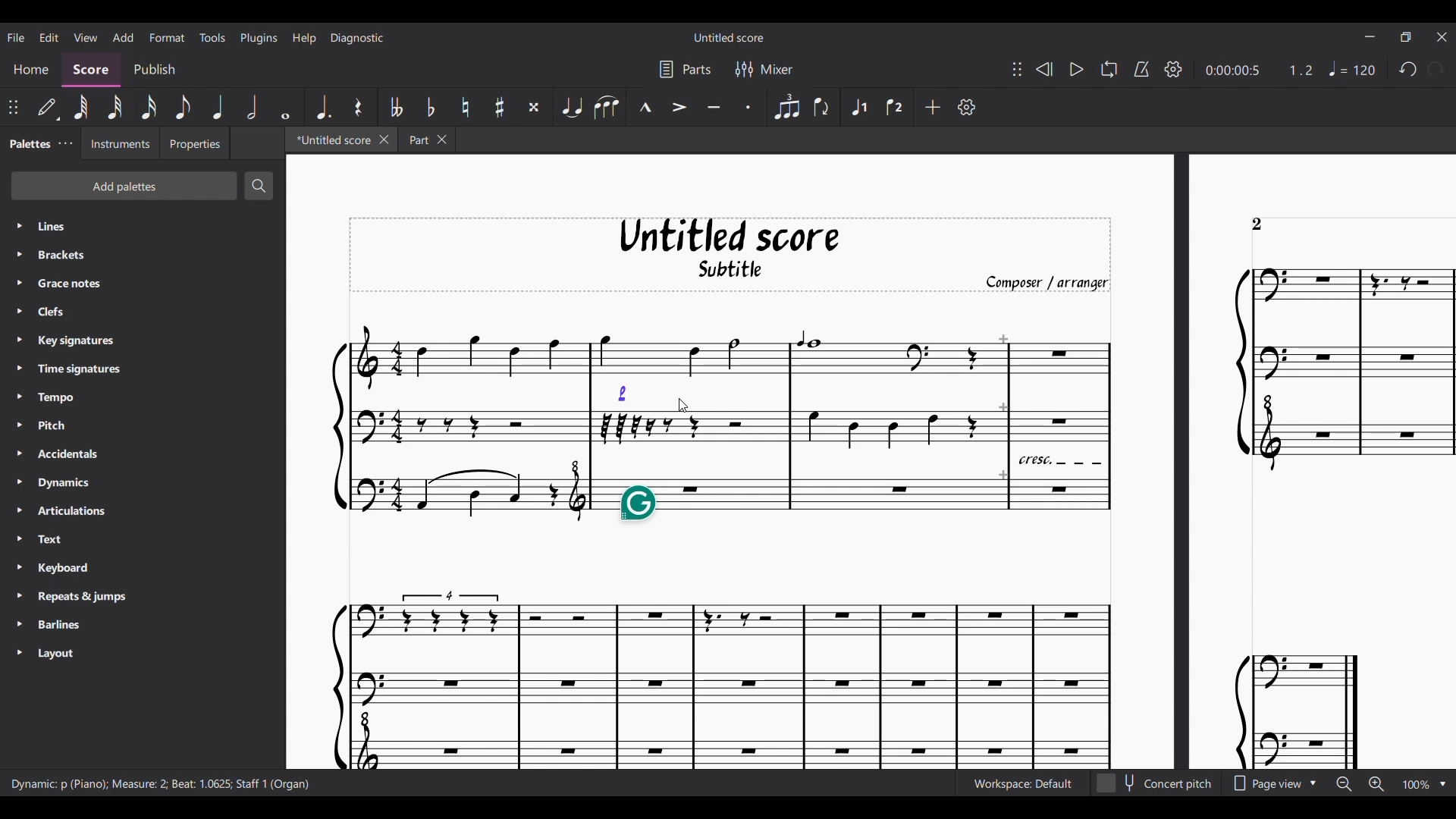  What do you see at coordinates (691, 356) in the screenshot?
I see `Highlighted due to movement of dynamic marking` at bounding box center [691, 356].